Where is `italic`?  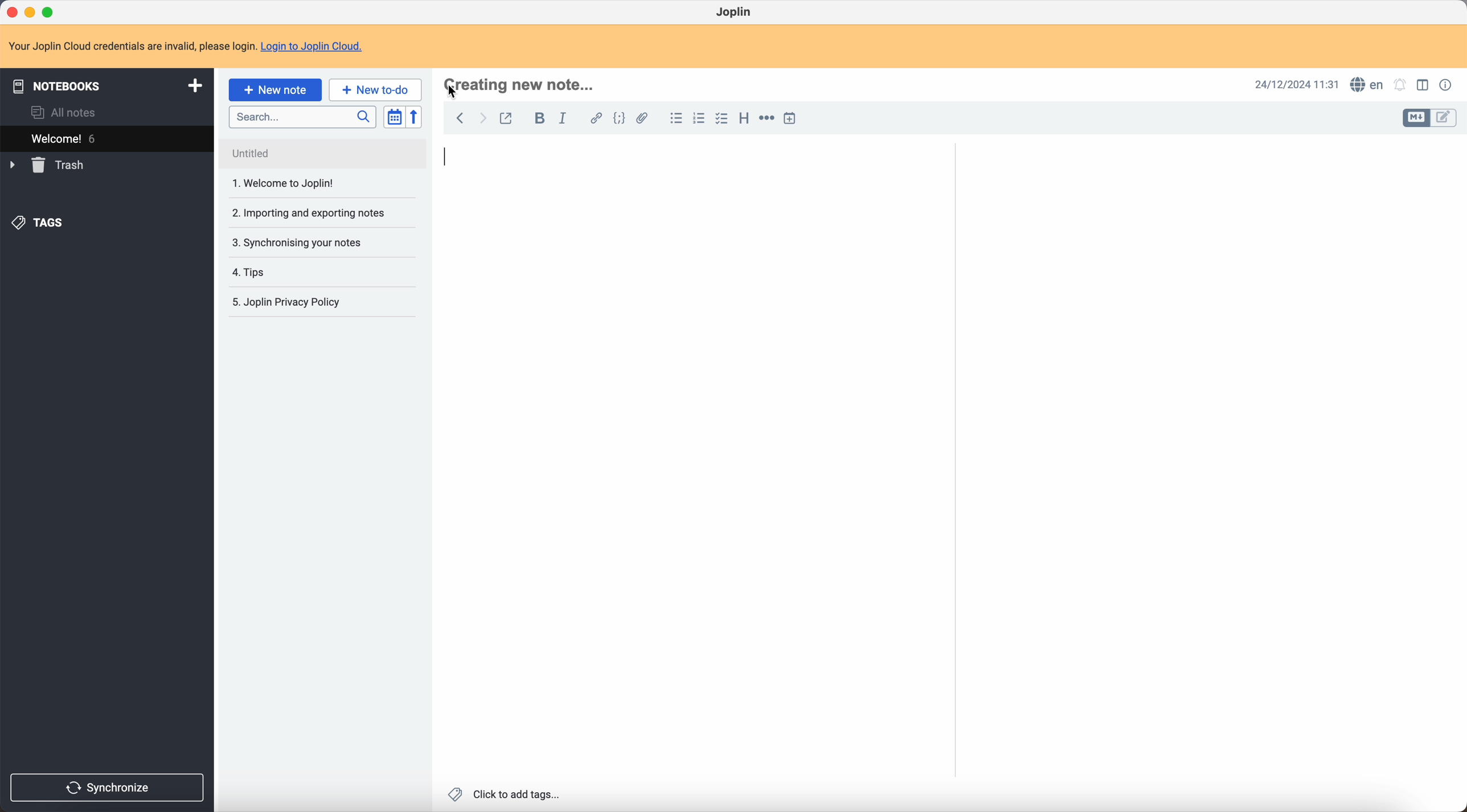 italic is located at coordinates (563, 120).